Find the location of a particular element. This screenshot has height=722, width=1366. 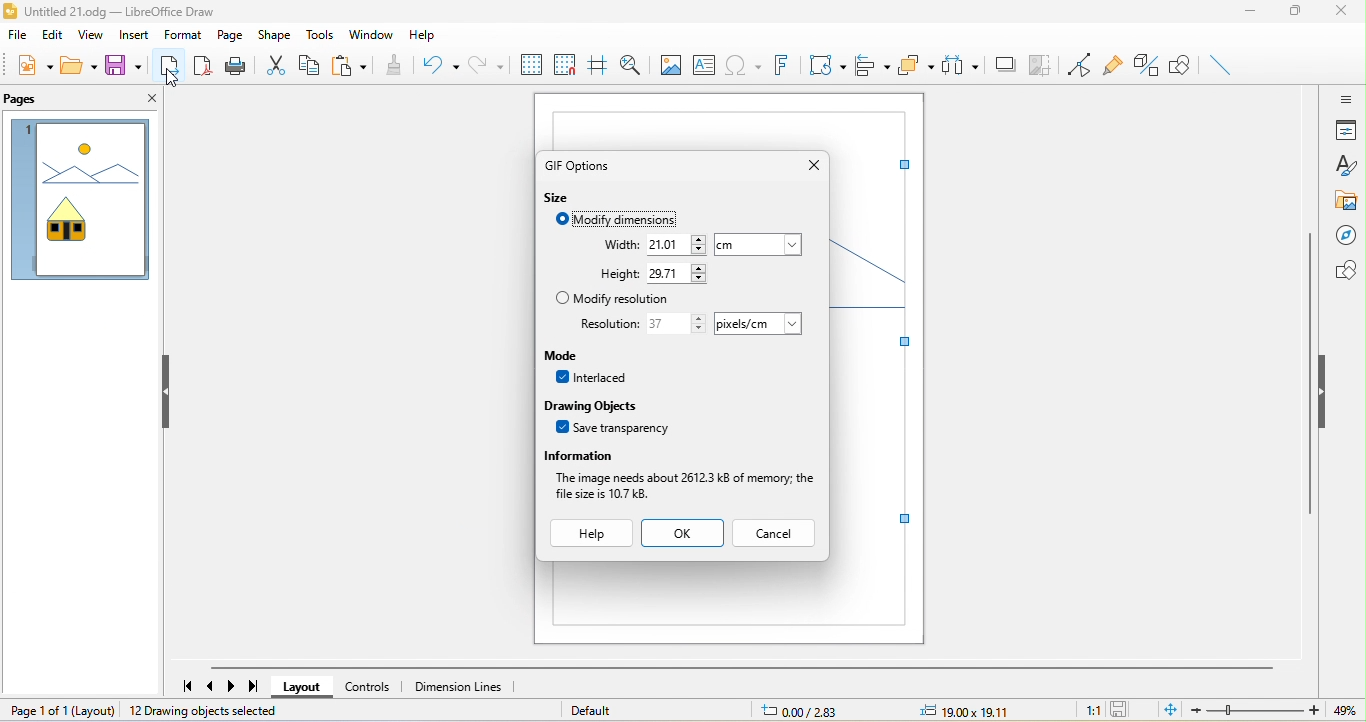

export is located at coordinates (169, 64).